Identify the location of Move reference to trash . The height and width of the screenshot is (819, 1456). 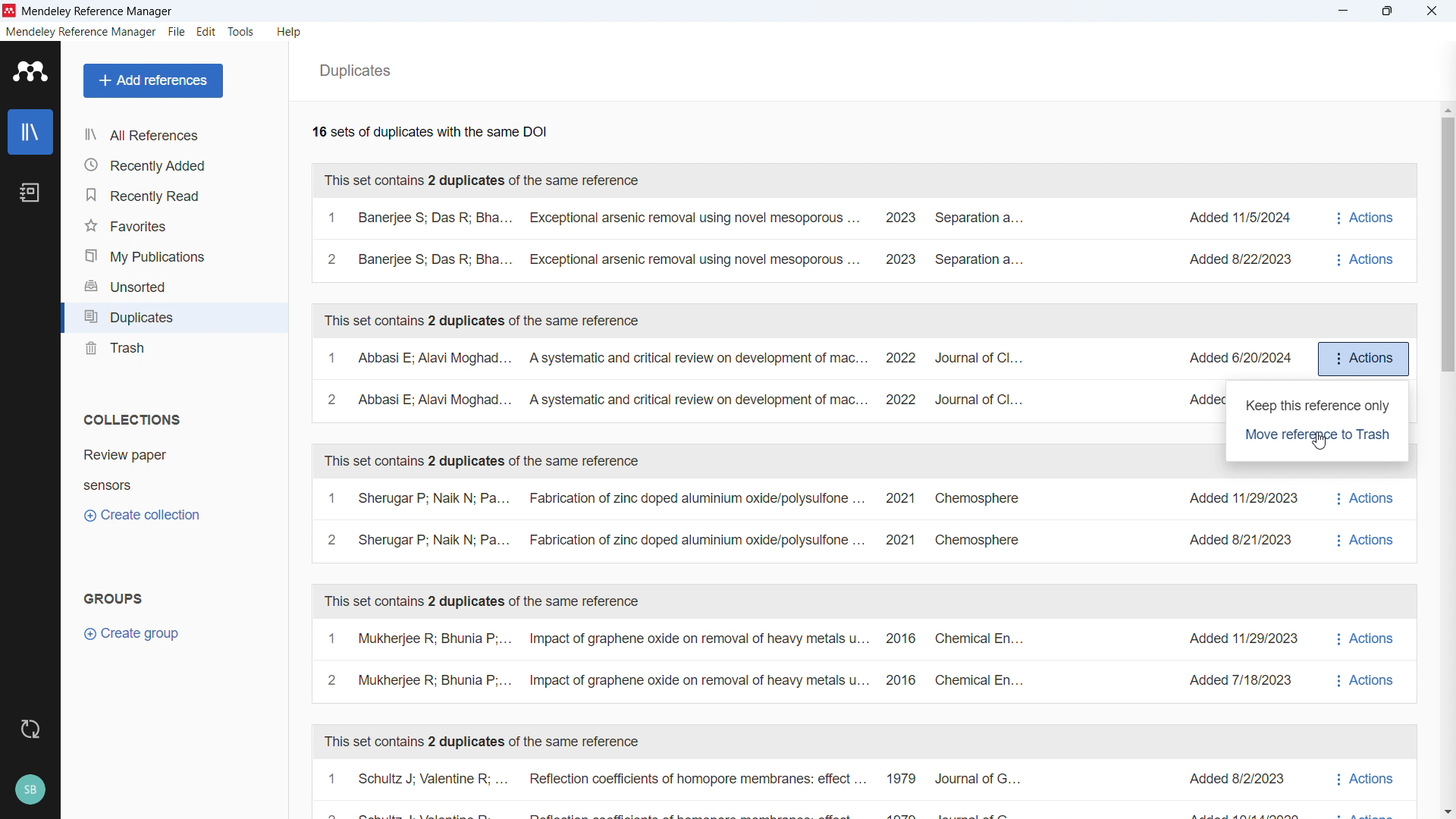
(1317, 435).